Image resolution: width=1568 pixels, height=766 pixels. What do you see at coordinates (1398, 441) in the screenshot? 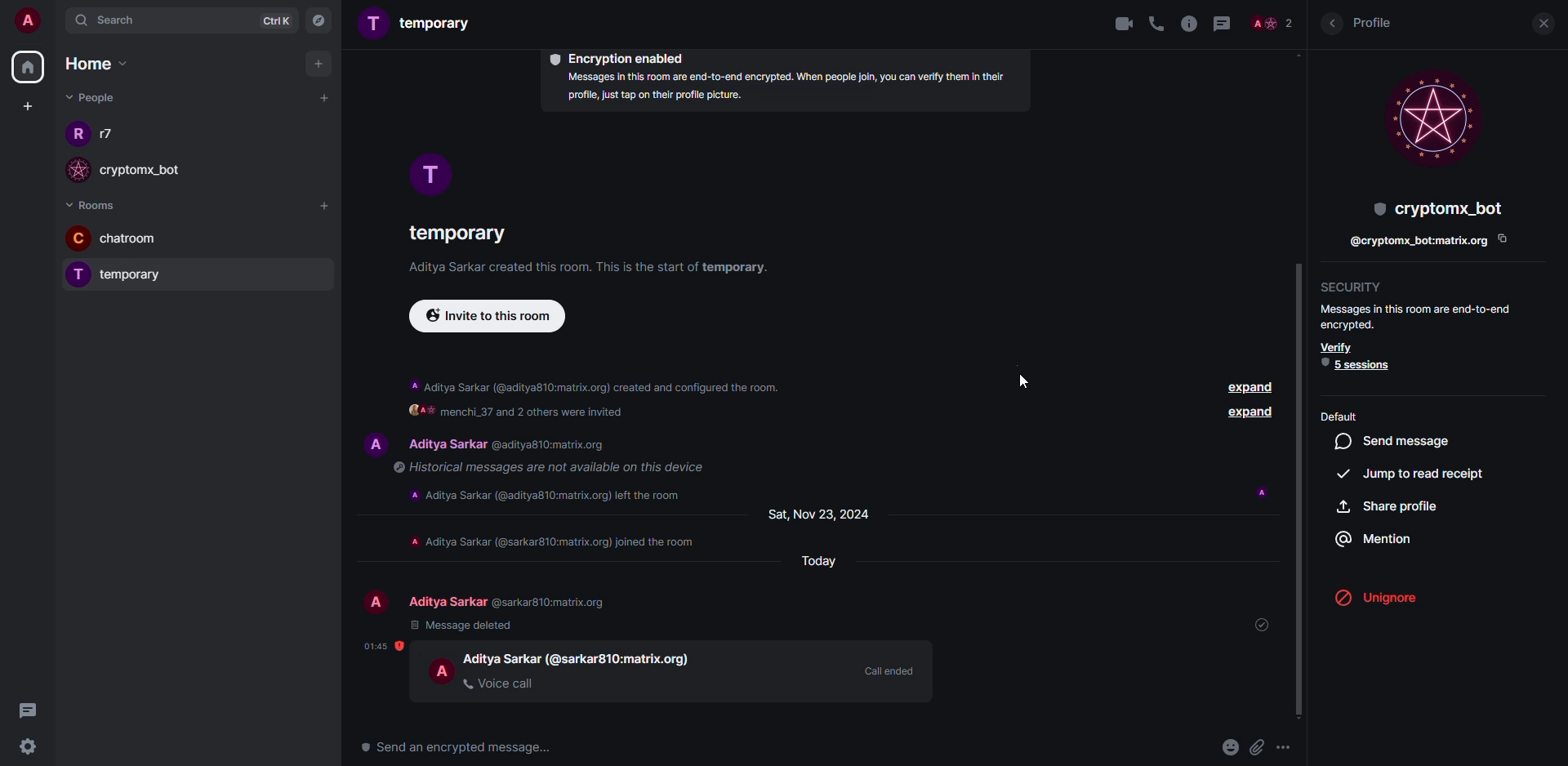
I see `sed message` at bounding box center [1398, 441].